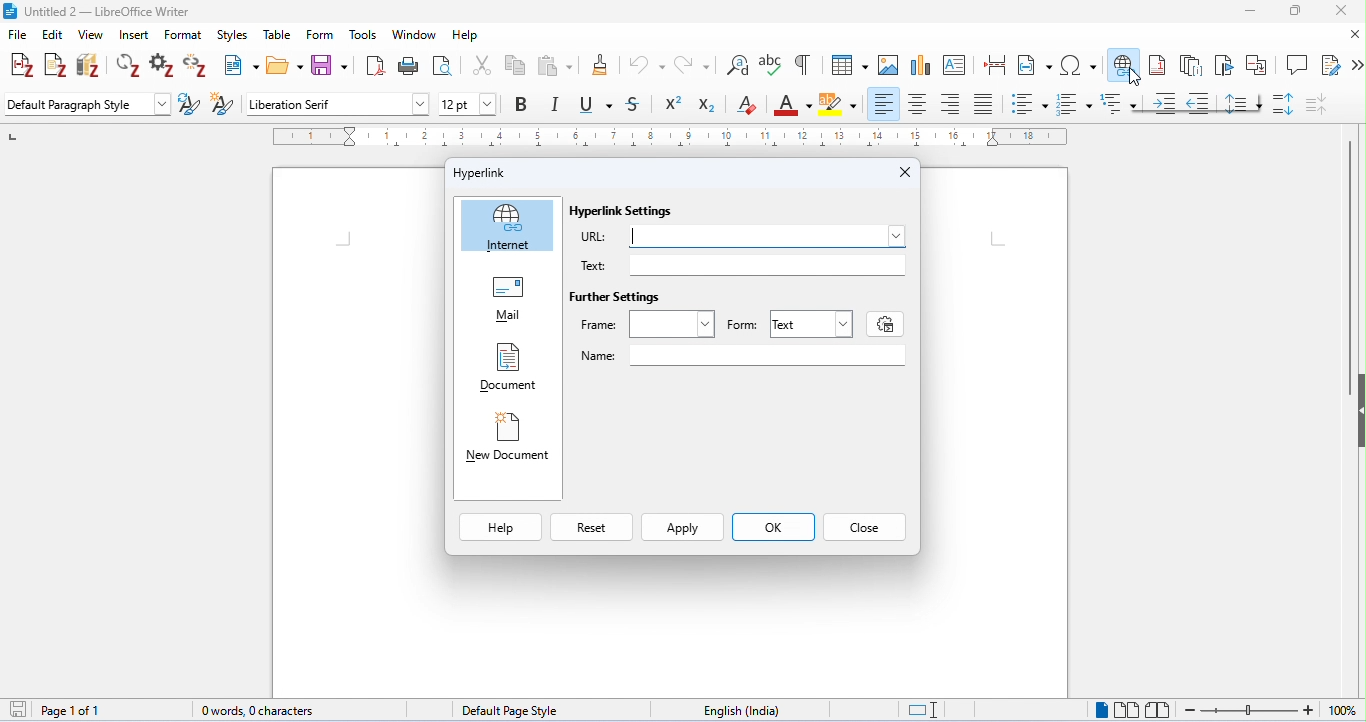  I want to click on insert field, so click(1036, 64).